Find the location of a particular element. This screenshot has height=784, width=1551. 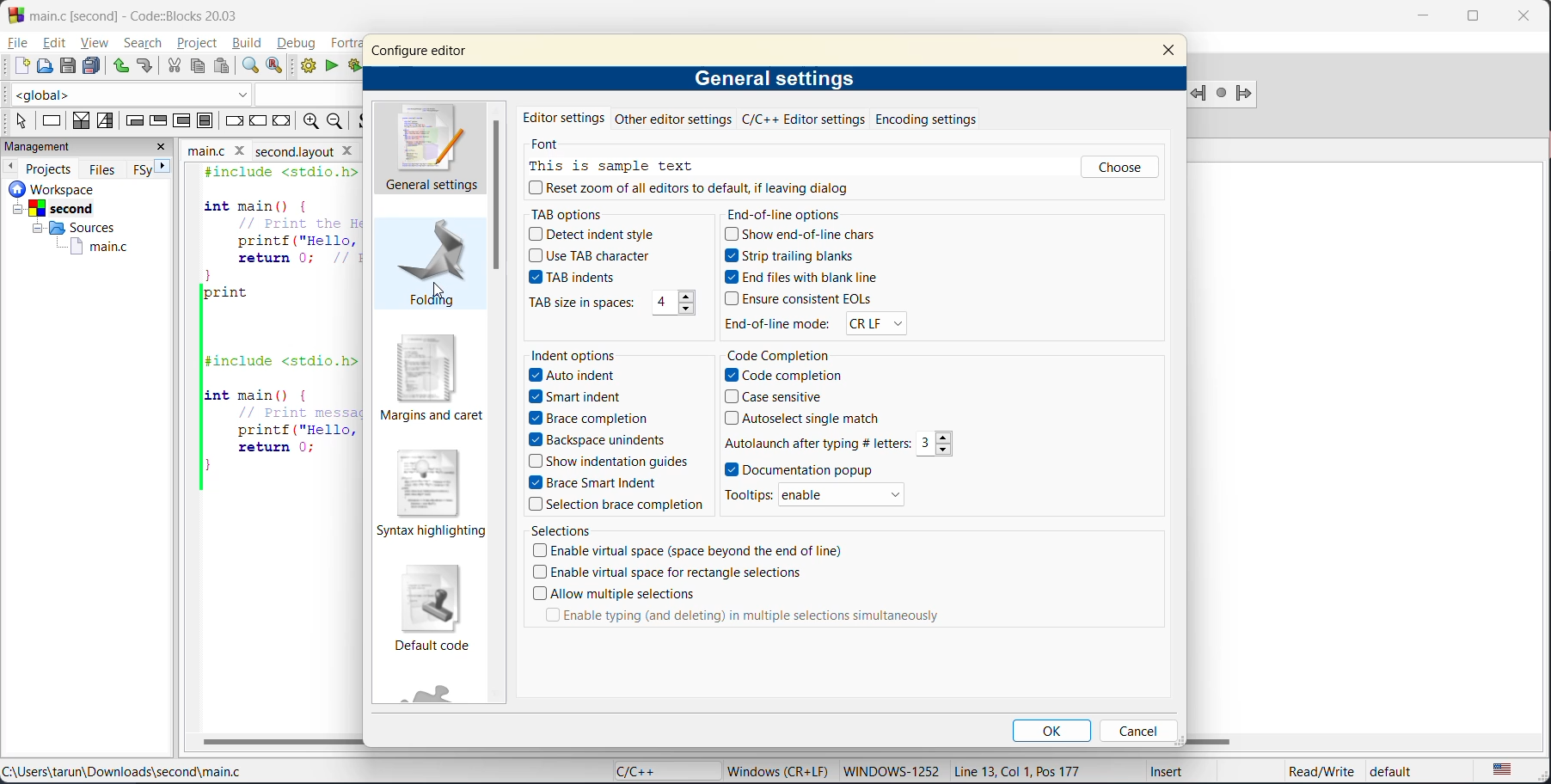

Auto indent is located at coordinates (585, 376).